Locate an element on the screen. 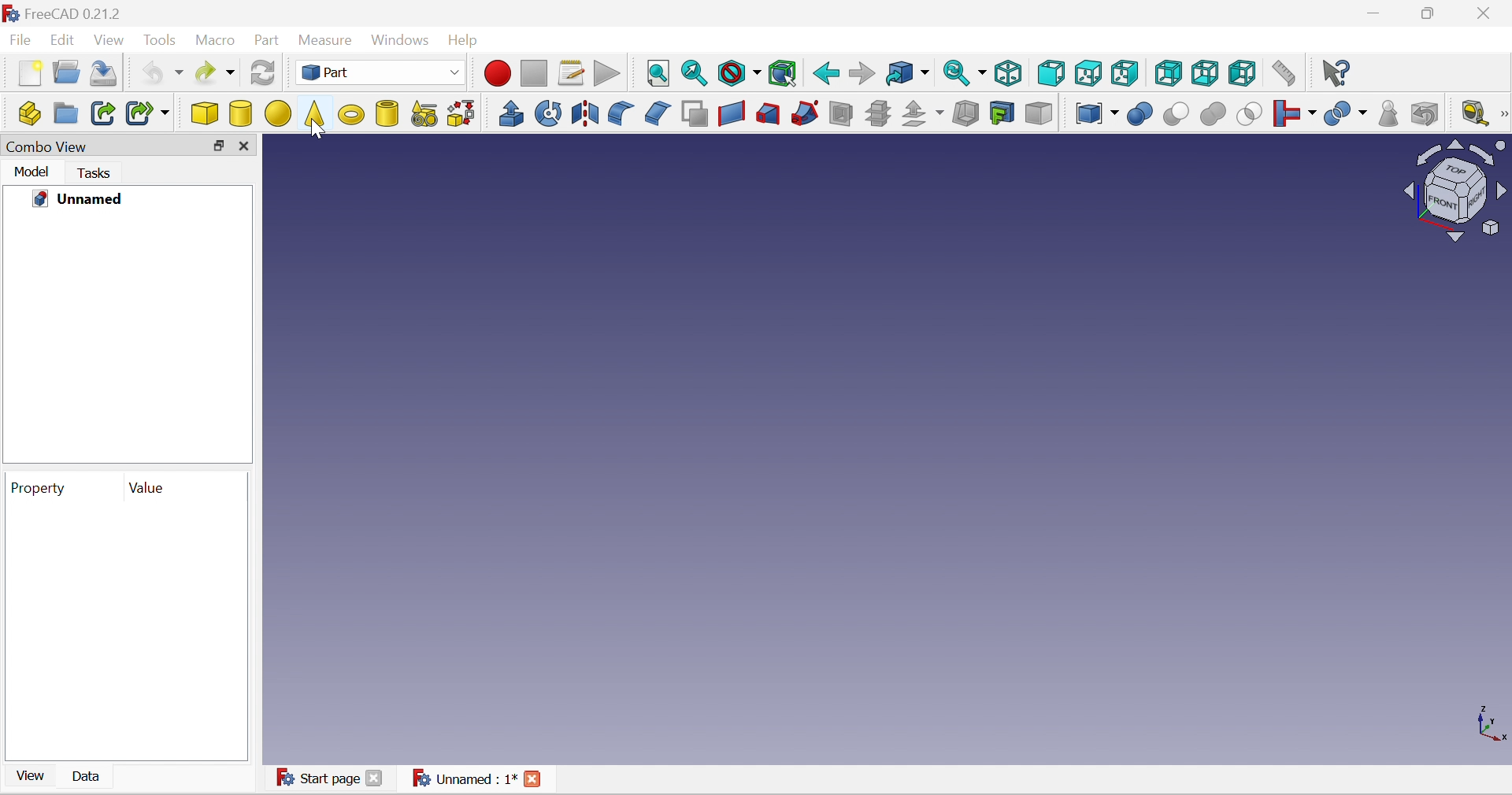 Image resolution: width=1512 pixels, height=795 pixels. Revolve is located at coordinates (549, 113).